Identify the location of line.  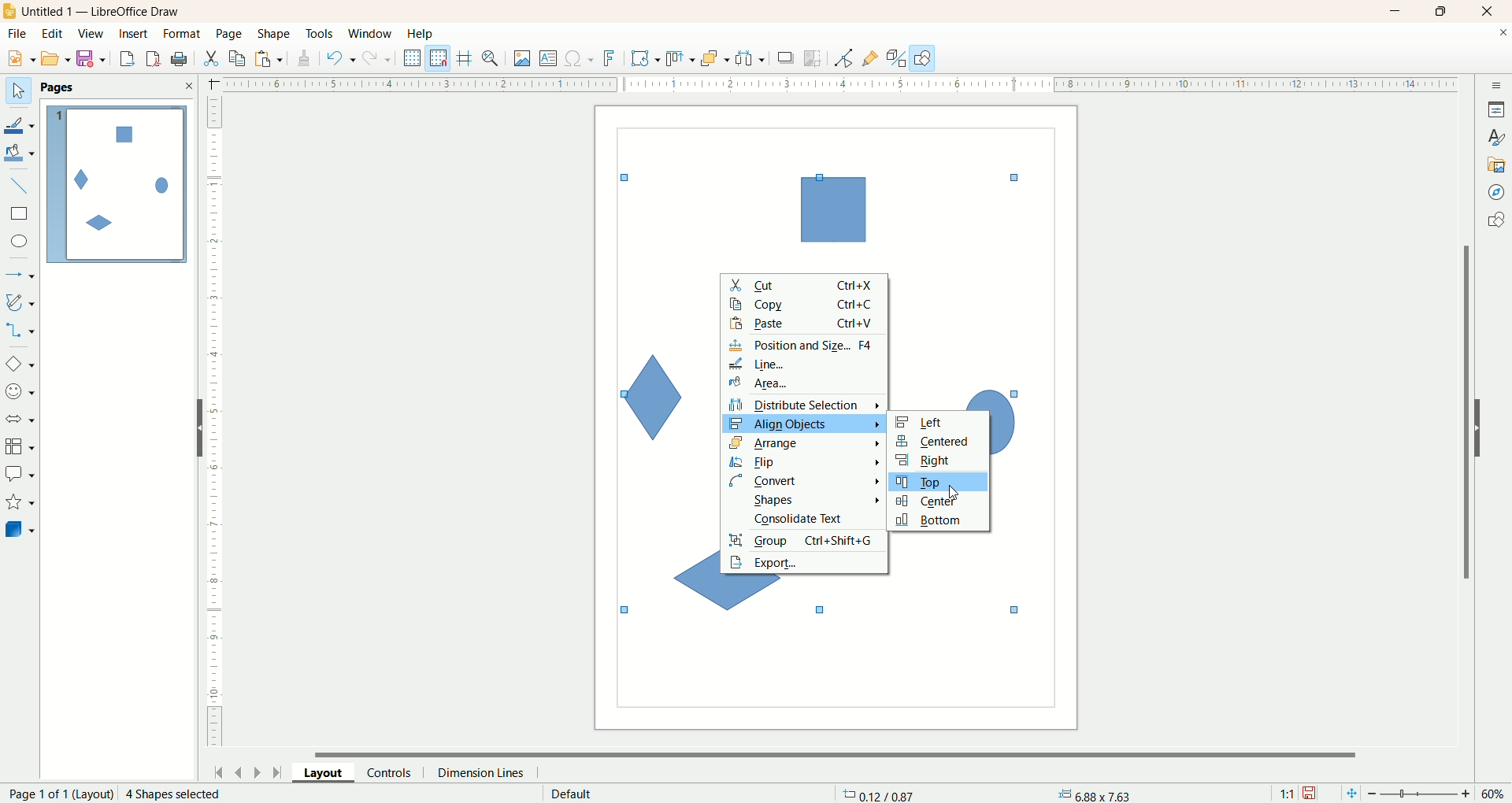
(804, 364).